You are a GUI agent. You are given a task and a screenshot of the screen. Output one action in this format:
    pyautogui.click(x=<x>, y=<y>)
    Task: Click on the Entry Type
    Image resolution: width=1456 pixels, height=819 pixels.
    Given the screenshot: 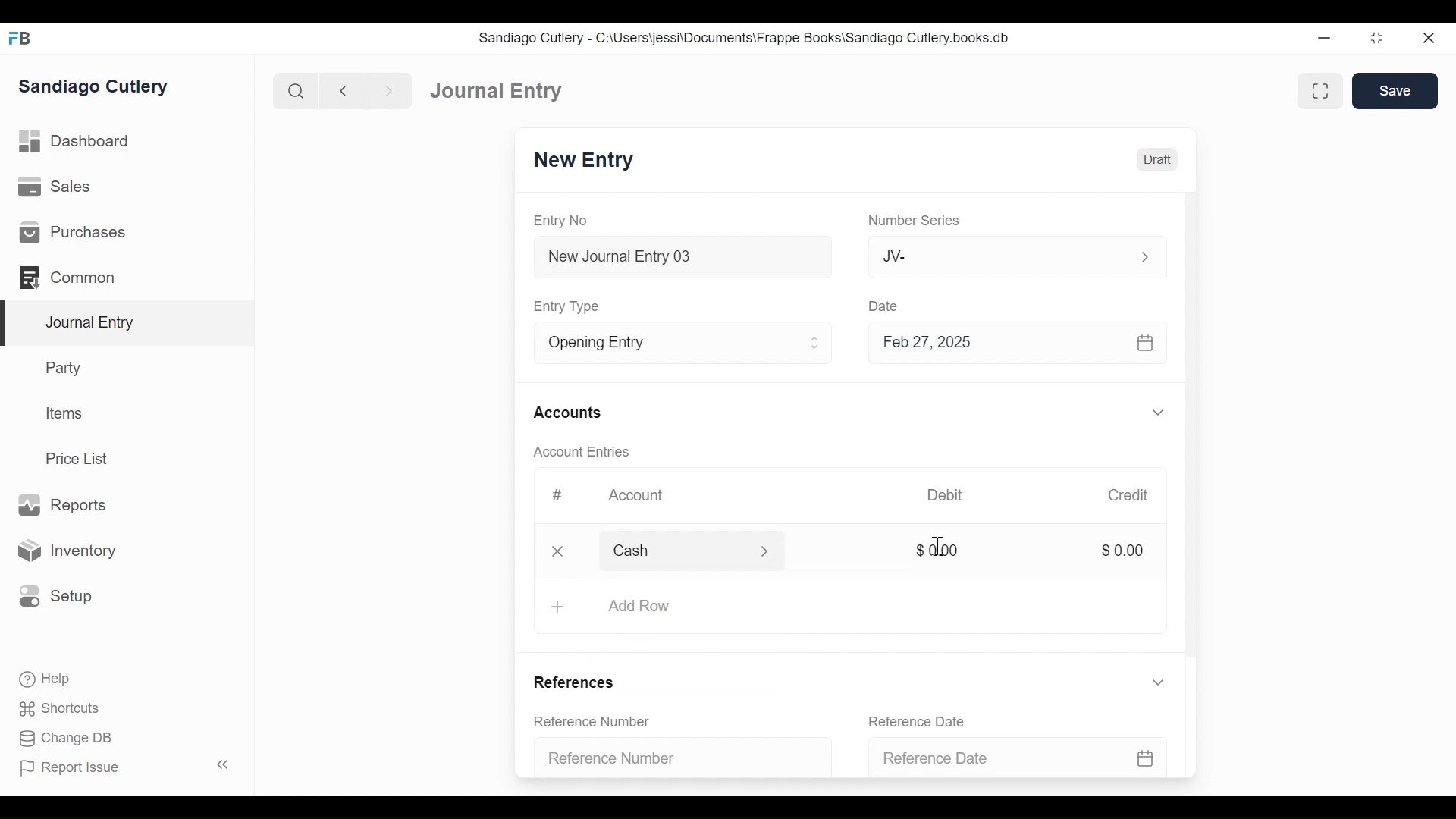 What is the action you would take?
    pyautogui.click(x=570, y=307)
    